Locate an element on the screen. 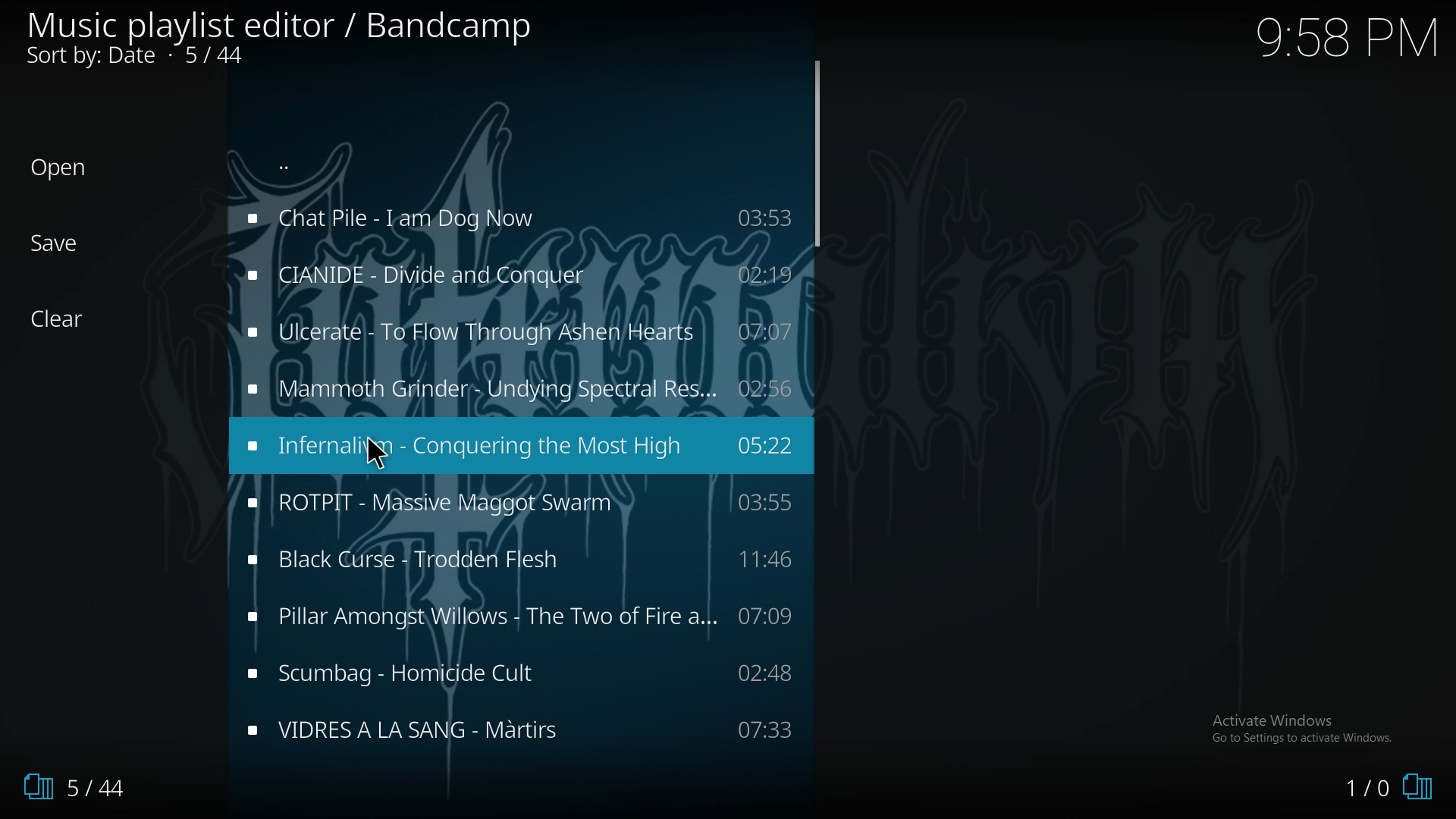  music is located at coordinates (519, 563).